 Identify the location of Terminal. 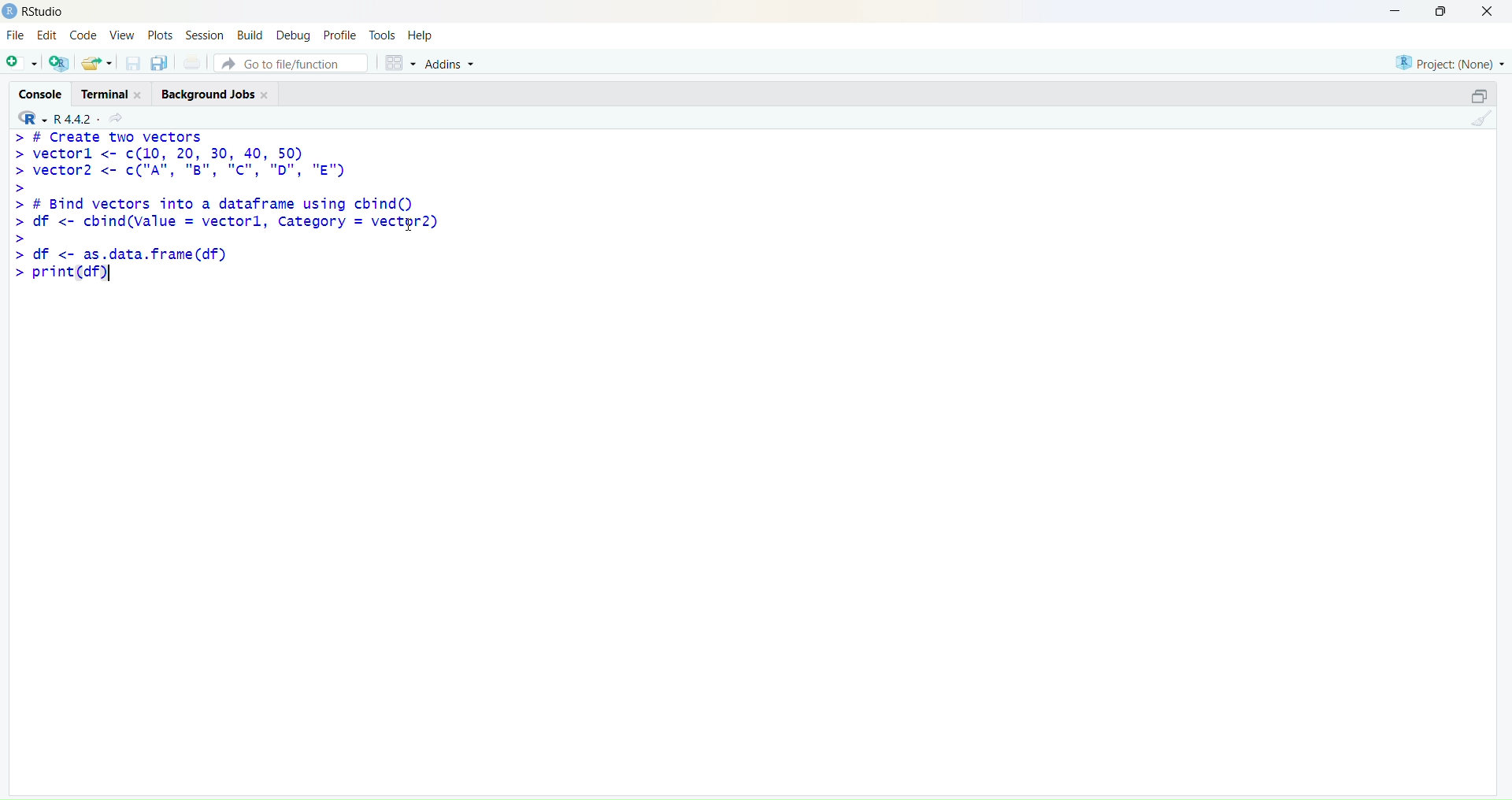
(109, 94).